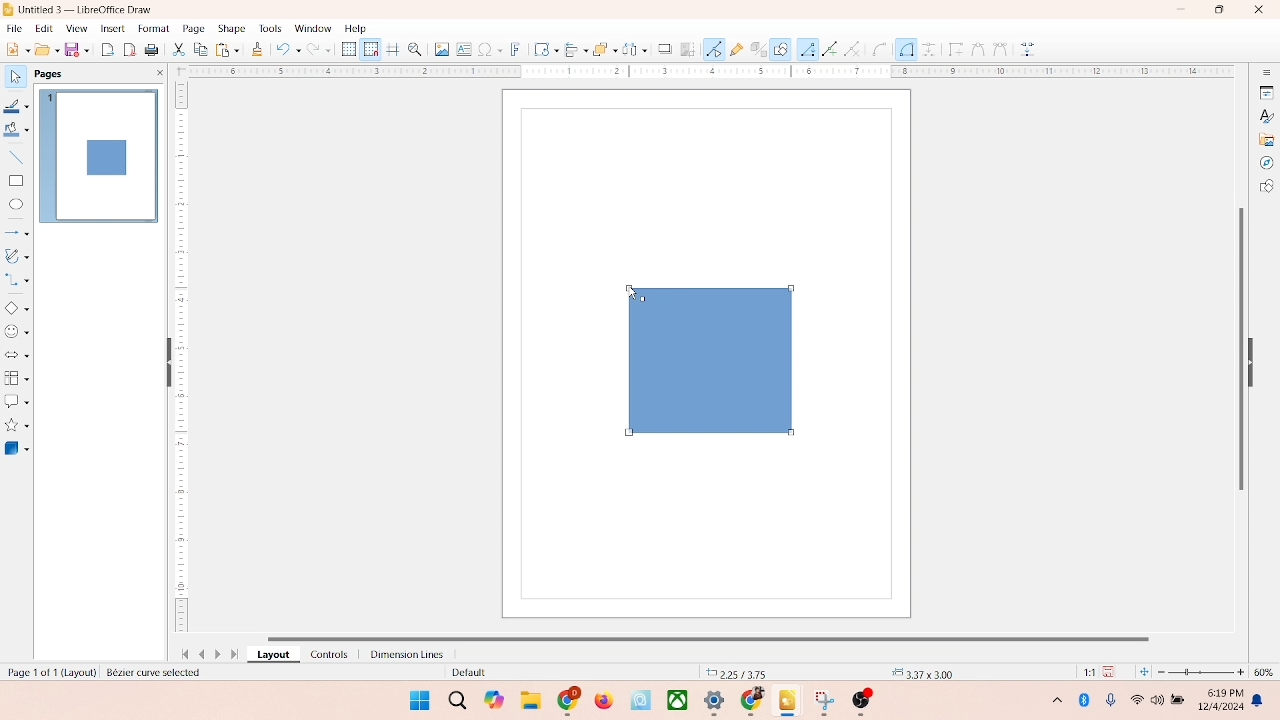  I want to click on curves and polygons, so click(18, 254).